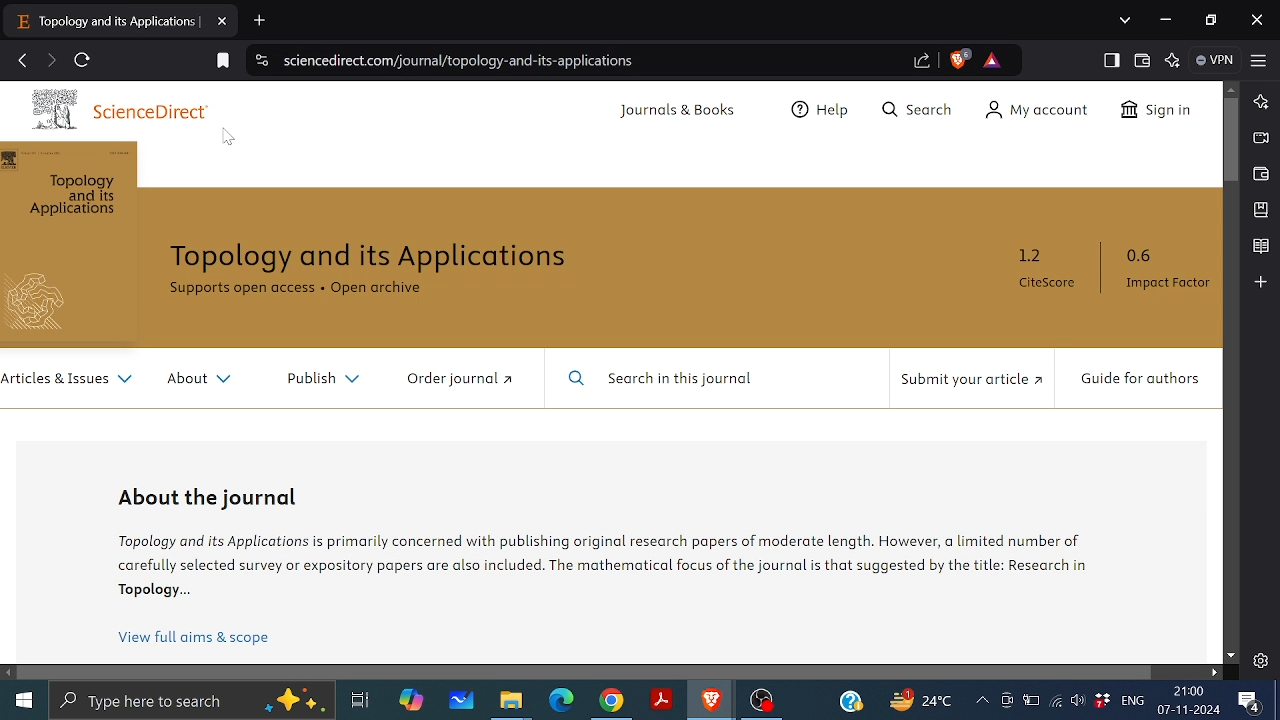 The width and height of the screenshot is (1280, 720). I want to click on Articles & Issues , so click(68, 379).